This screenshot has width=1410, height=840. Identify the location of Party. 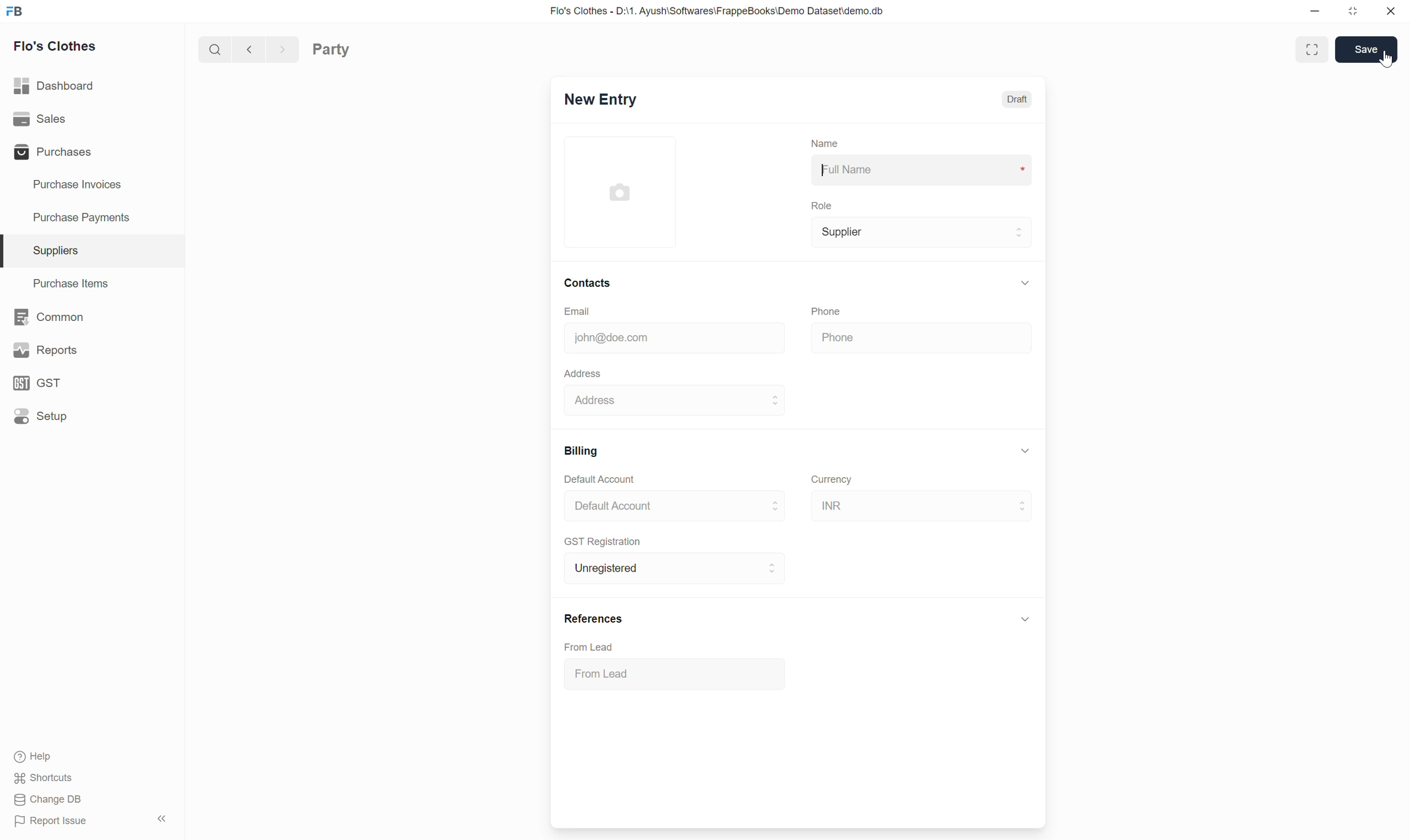
(331, 49).